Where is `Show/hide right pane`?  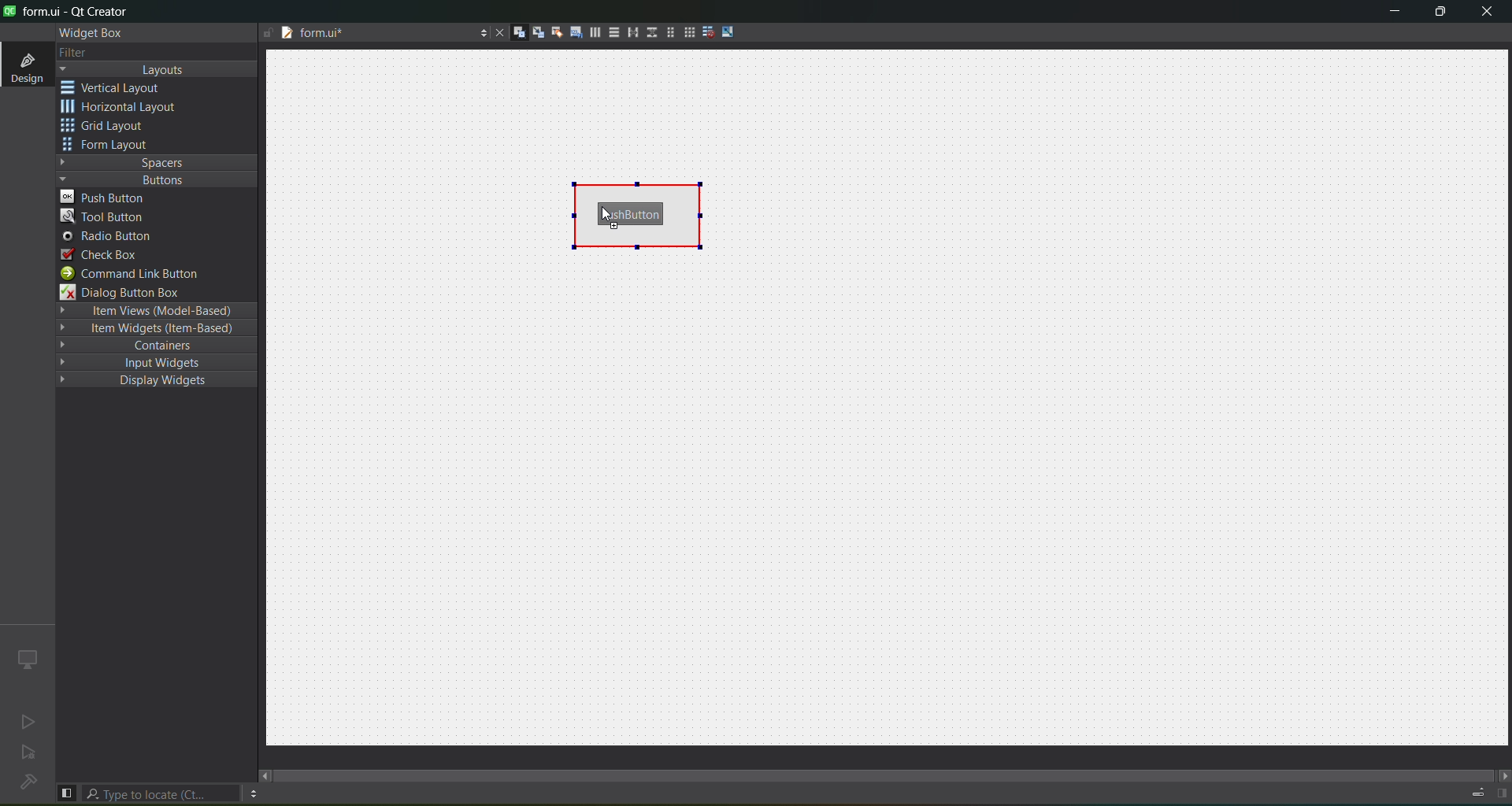
Show/hide right pane is located at coordinates (1499, 793).